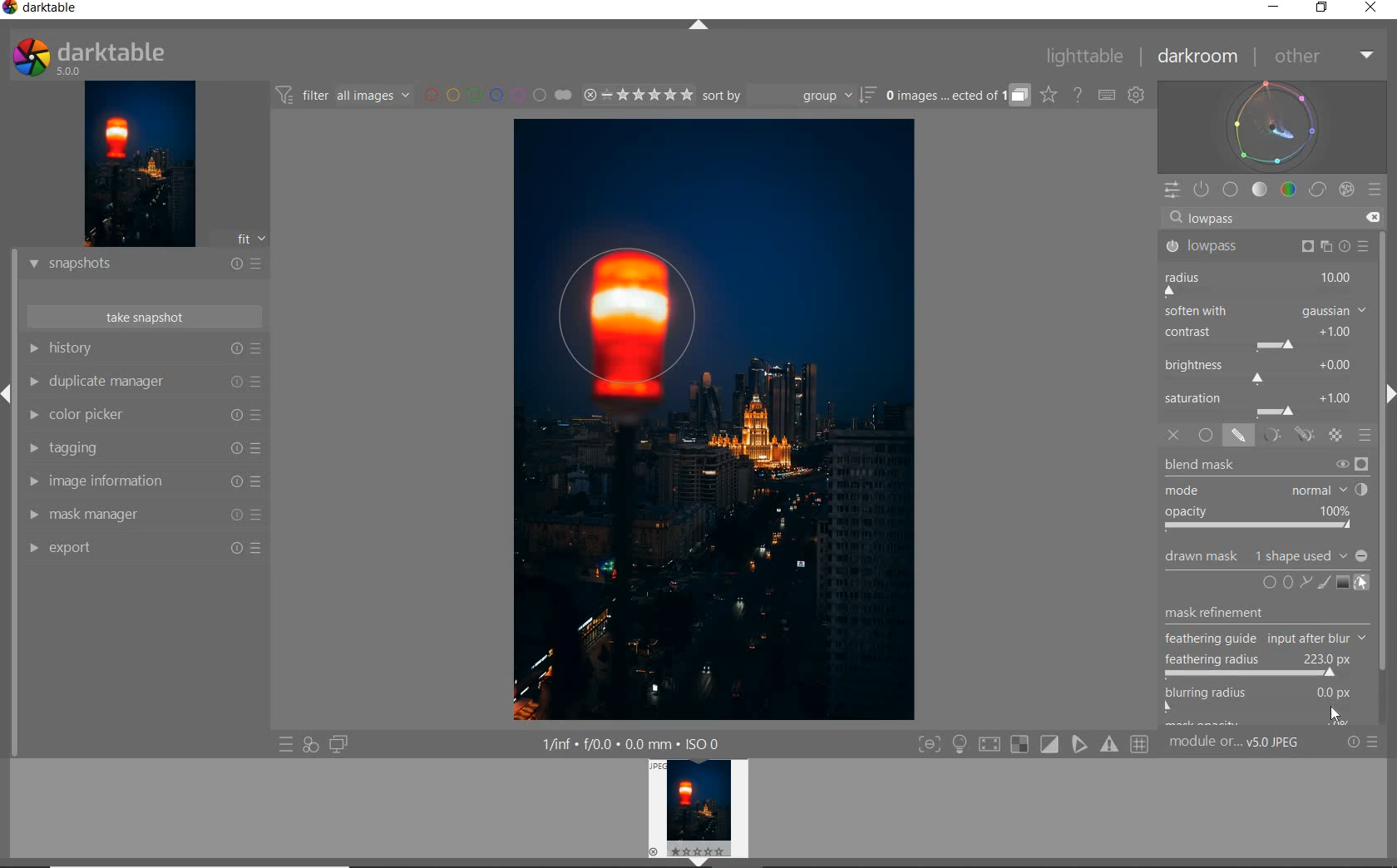 The image size is (1397, 868). I want to click on EXPAND/COLLAPSE, so click(8, 391).